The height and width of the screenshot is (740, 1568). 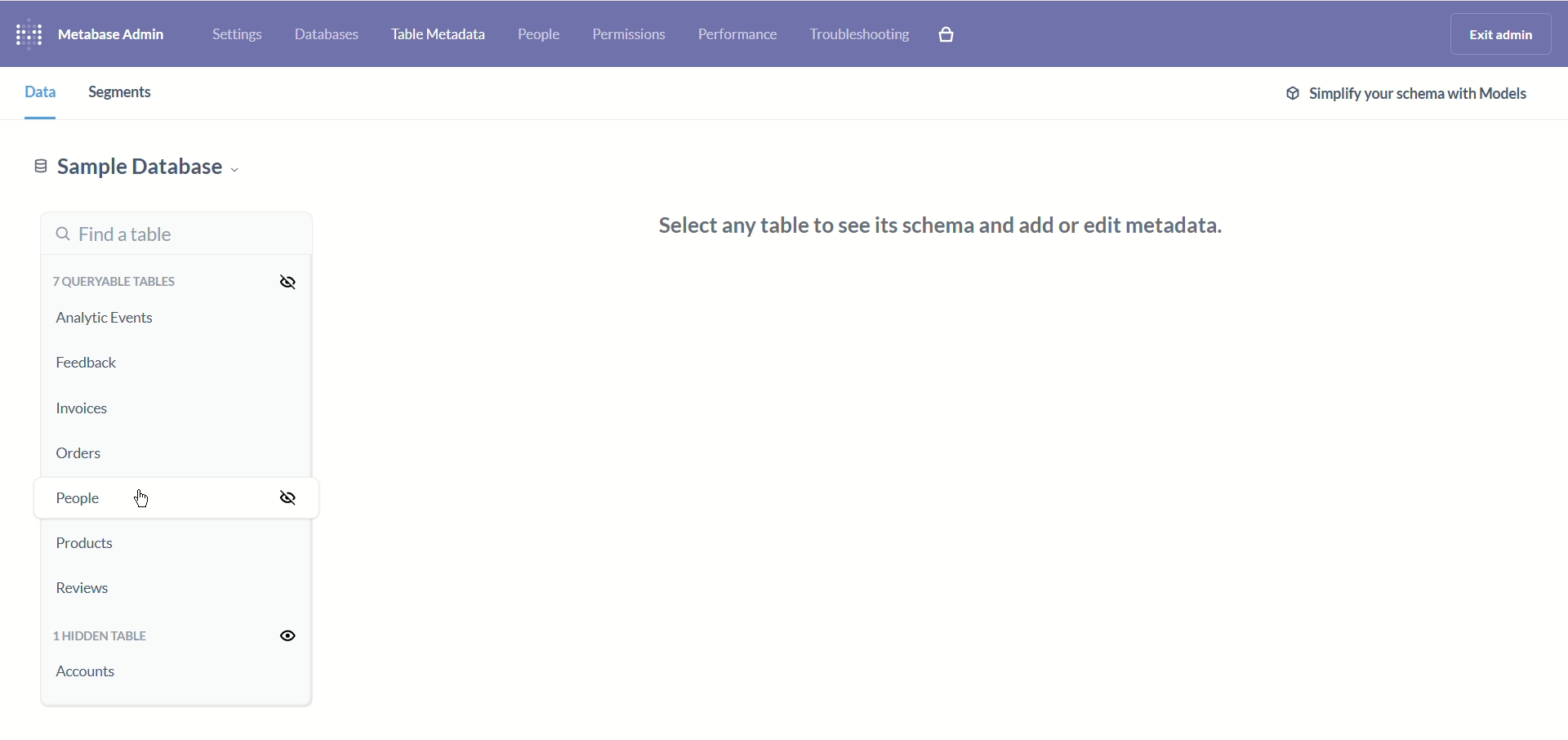 I want to click on Orders, so click(x=111, y=449).